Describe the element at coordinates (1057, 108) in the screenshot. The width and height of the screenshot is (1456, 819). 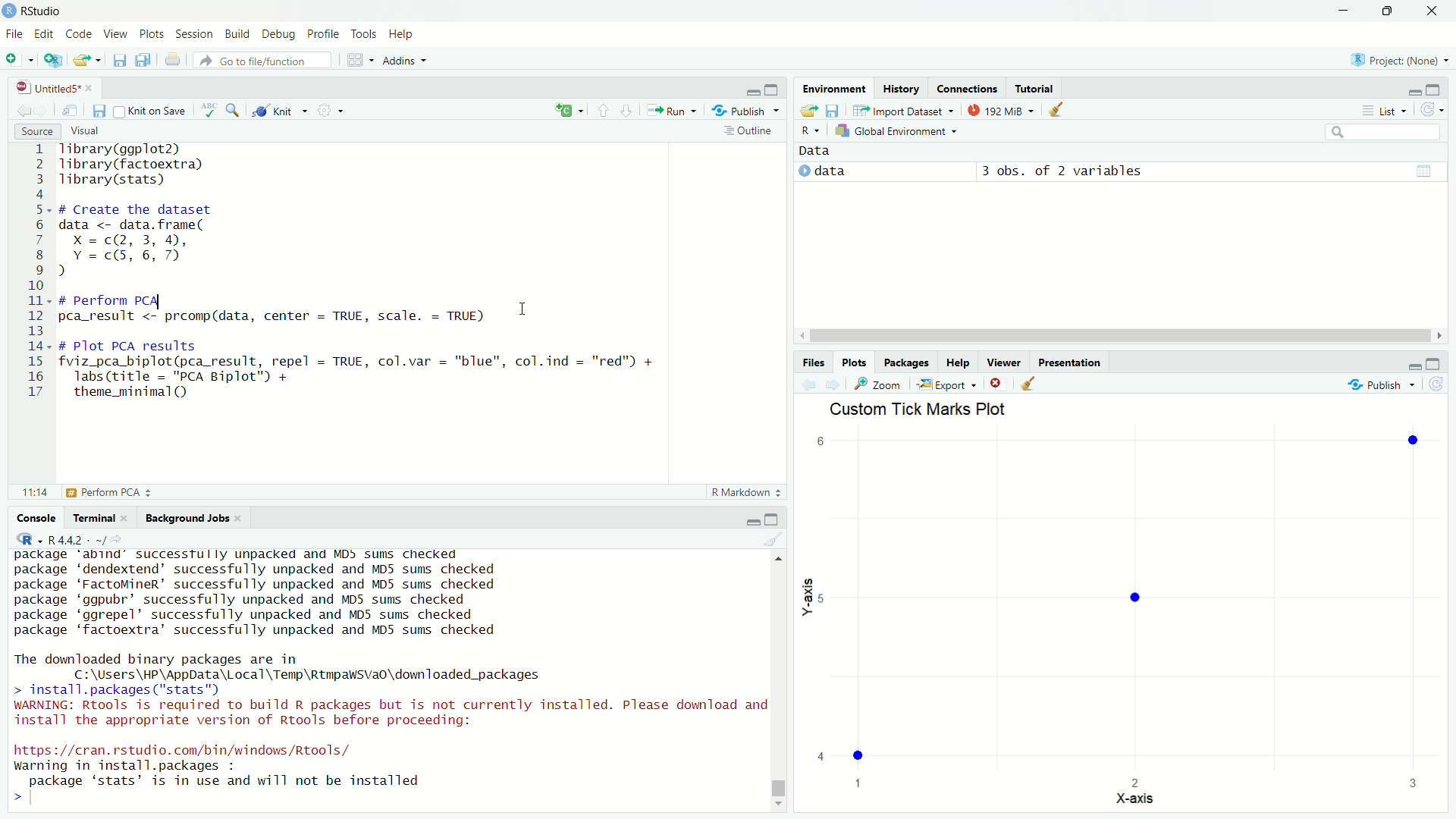
I see `clear all objects` at that location.